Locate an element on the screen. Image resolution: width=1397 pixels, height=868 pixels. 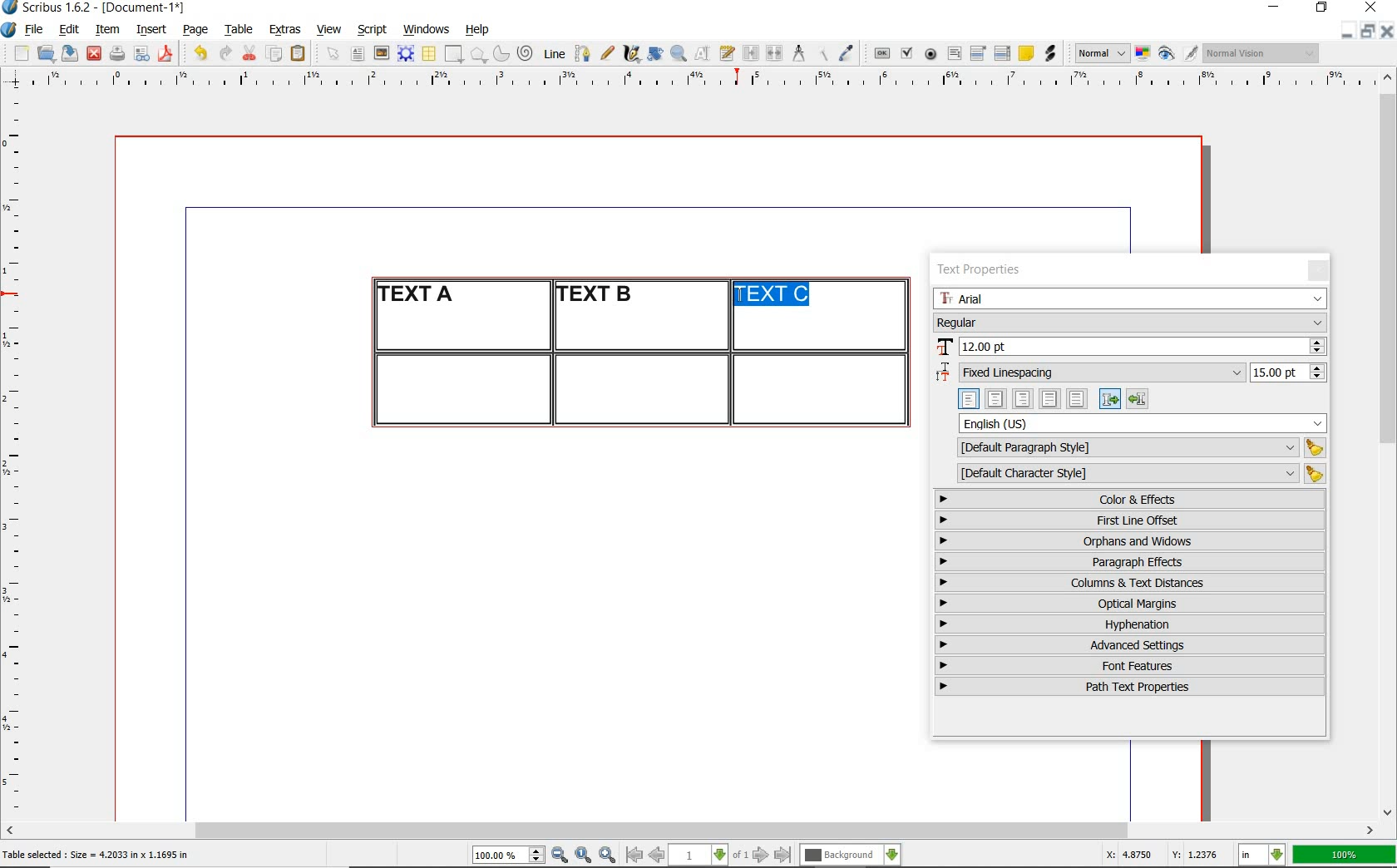
open is located at coordinates (45, 52).